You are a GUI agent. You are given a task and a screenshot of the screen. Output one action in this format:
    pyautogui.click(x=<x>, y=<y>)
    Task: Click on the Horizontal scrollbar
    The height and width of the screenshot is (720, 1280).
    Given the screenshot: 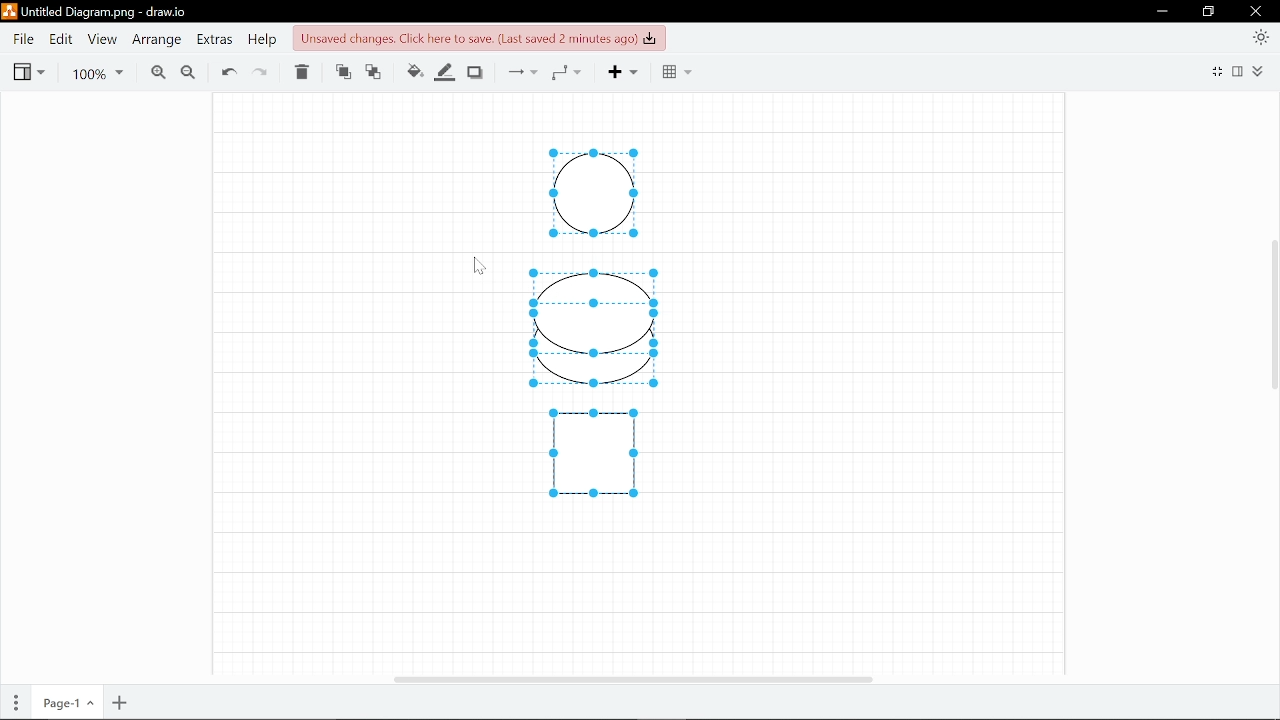 What is the action you would take?
    pyautogui.click(x=634, y=679)
    